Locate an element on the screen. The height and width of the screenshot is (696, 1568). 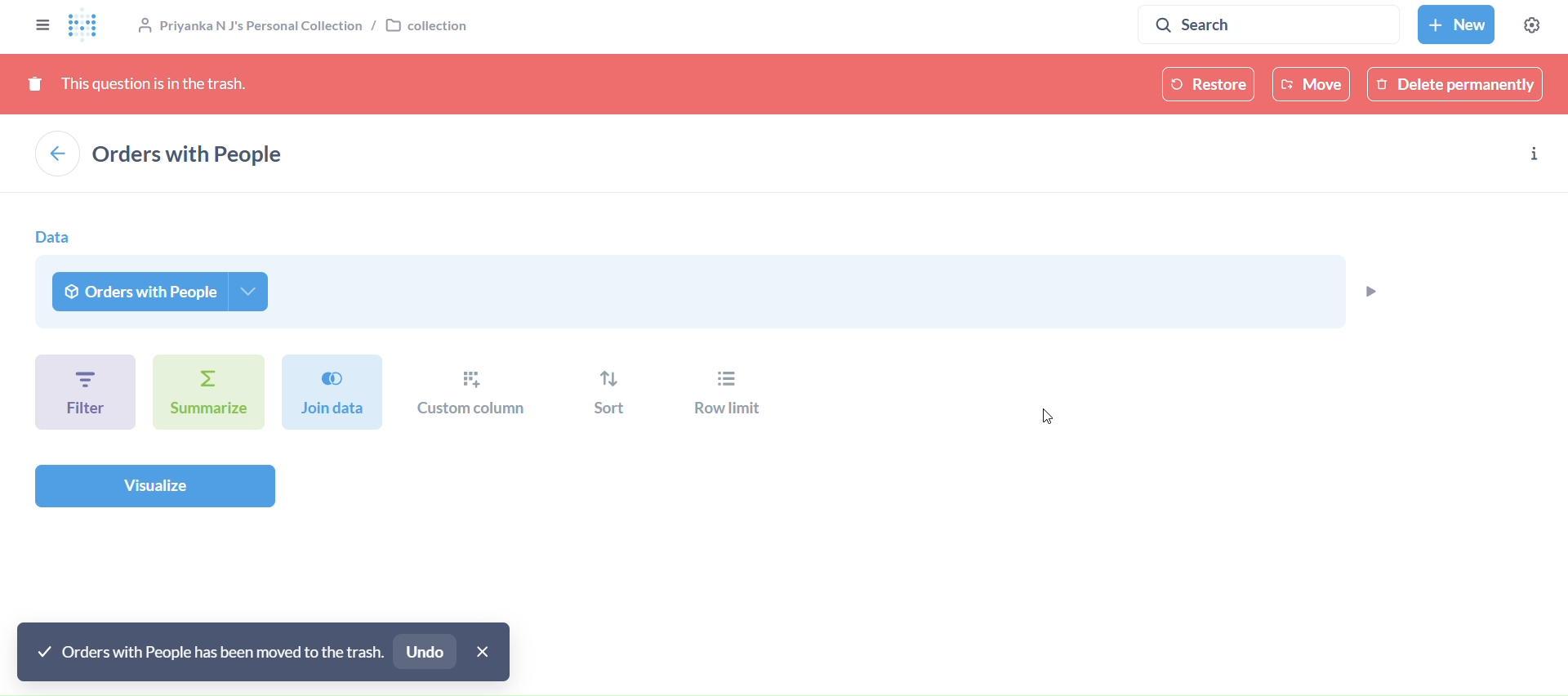
Settings is located at coordinates (1535, 23).